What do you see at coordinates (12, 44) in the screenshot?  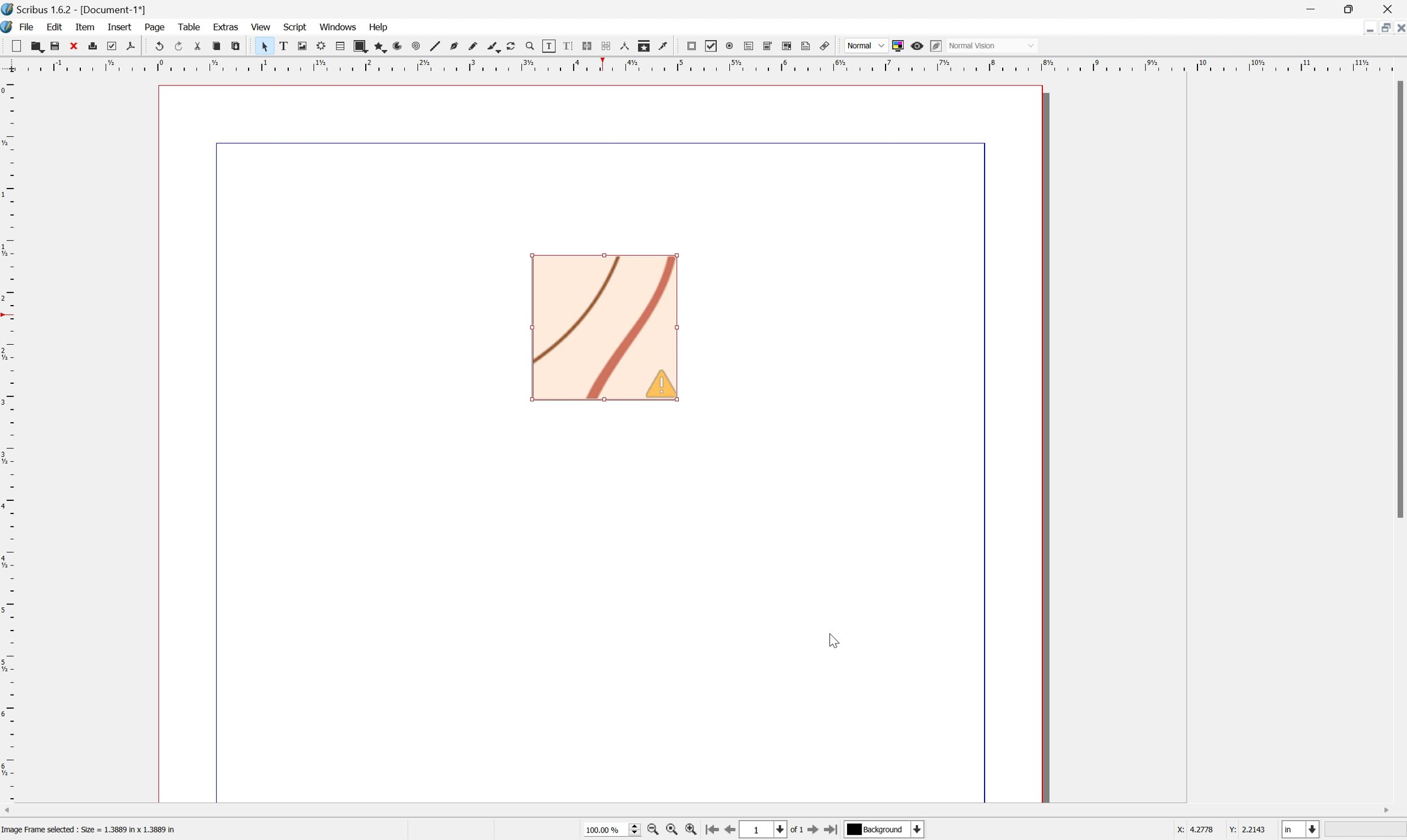 I see `New` at bounding box center [12, 44].